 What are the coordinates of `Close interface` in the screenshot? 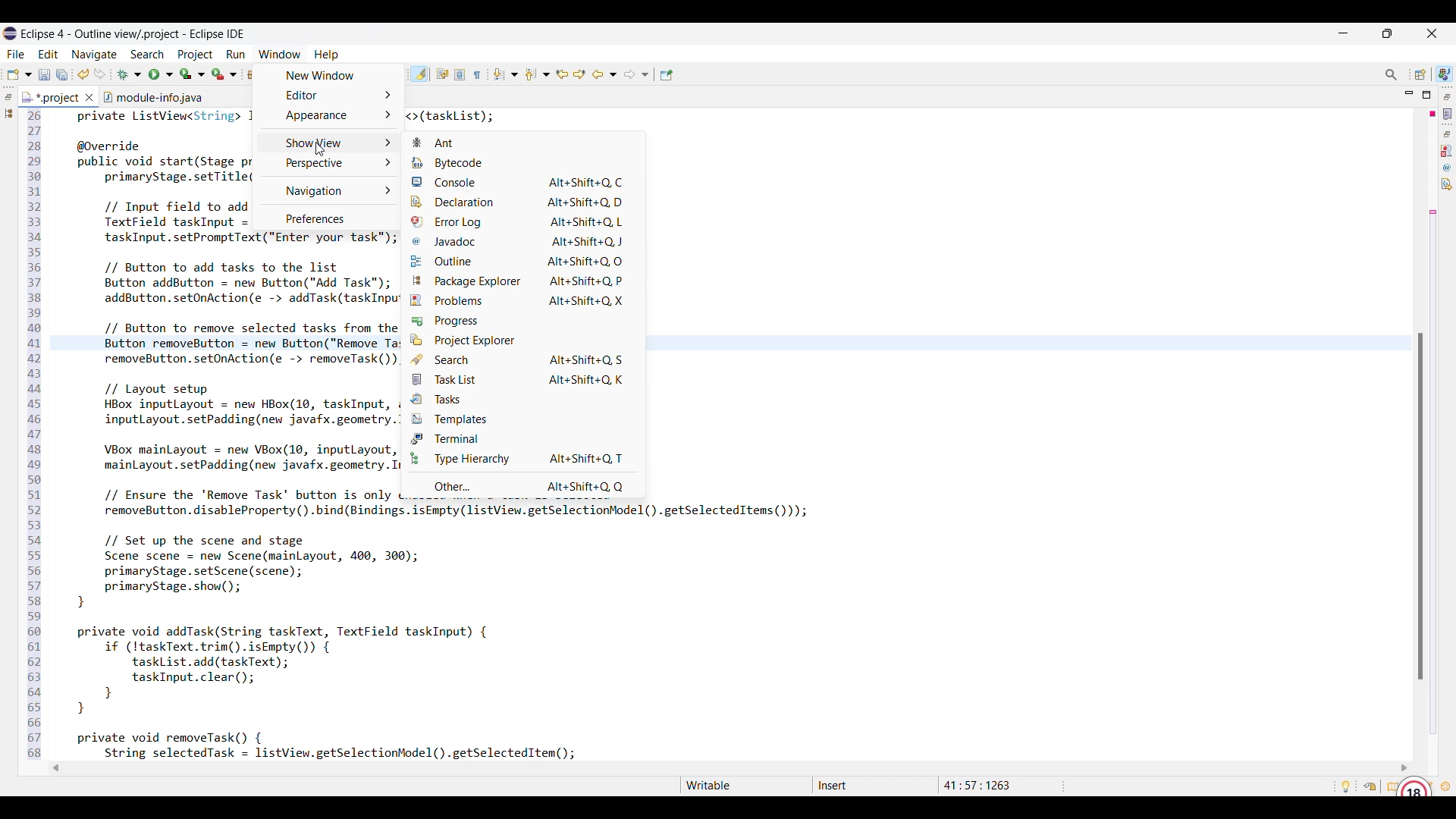 It's located at (1432, 33).